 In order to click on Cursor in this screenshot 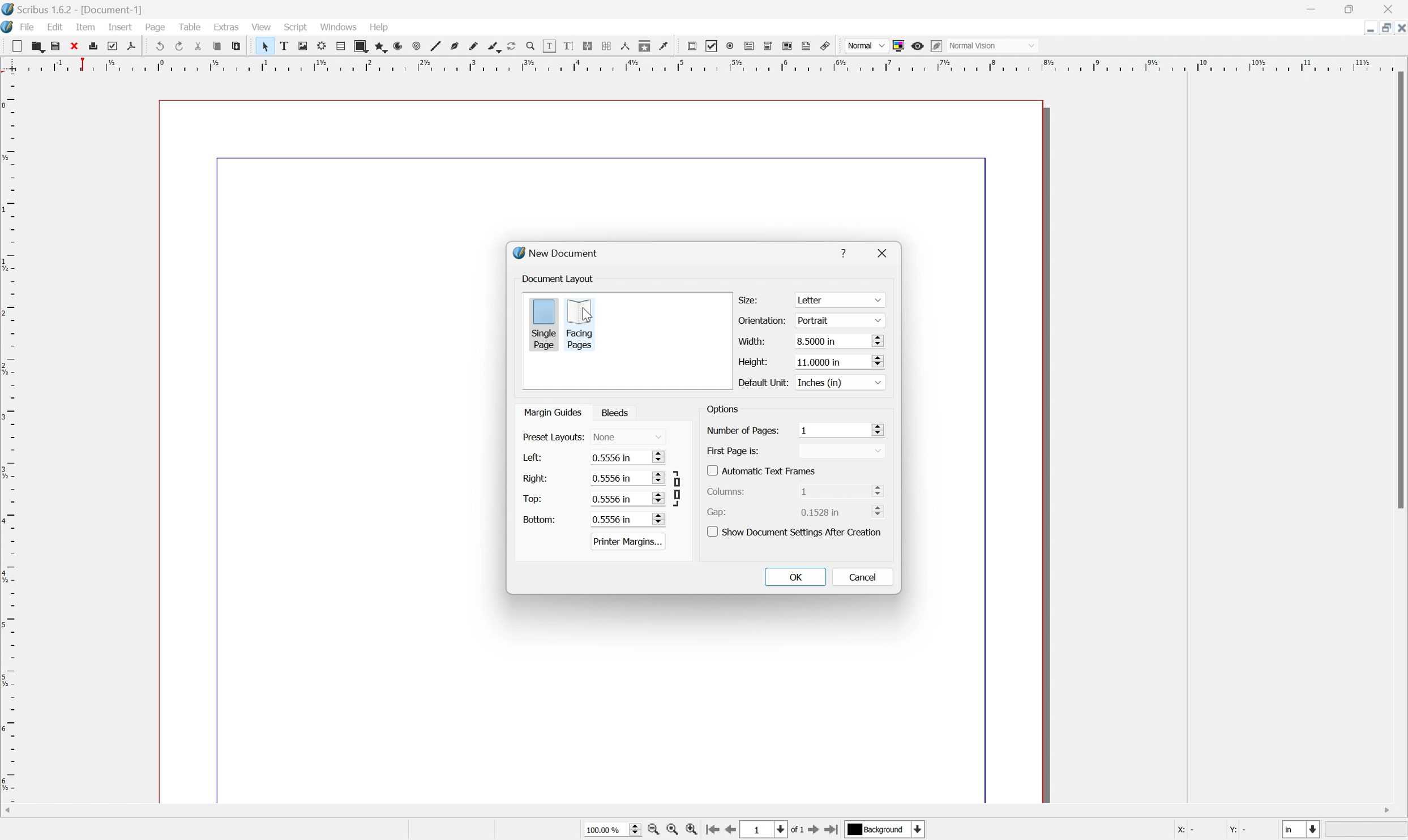, I will do `click(586, 314)`.